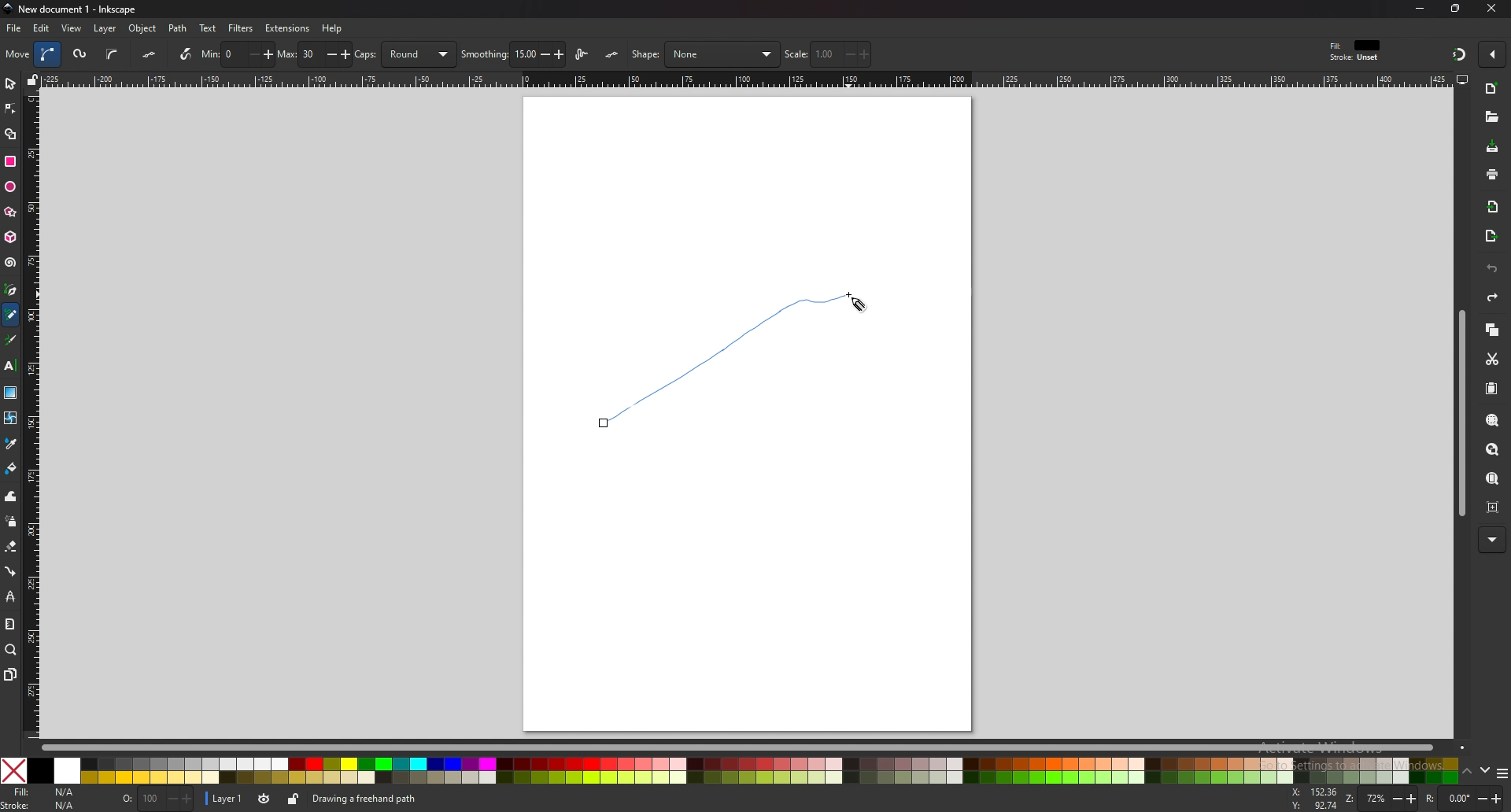 This screenshot has height=812, width=1511. I want to click on text, so click(10, 365).